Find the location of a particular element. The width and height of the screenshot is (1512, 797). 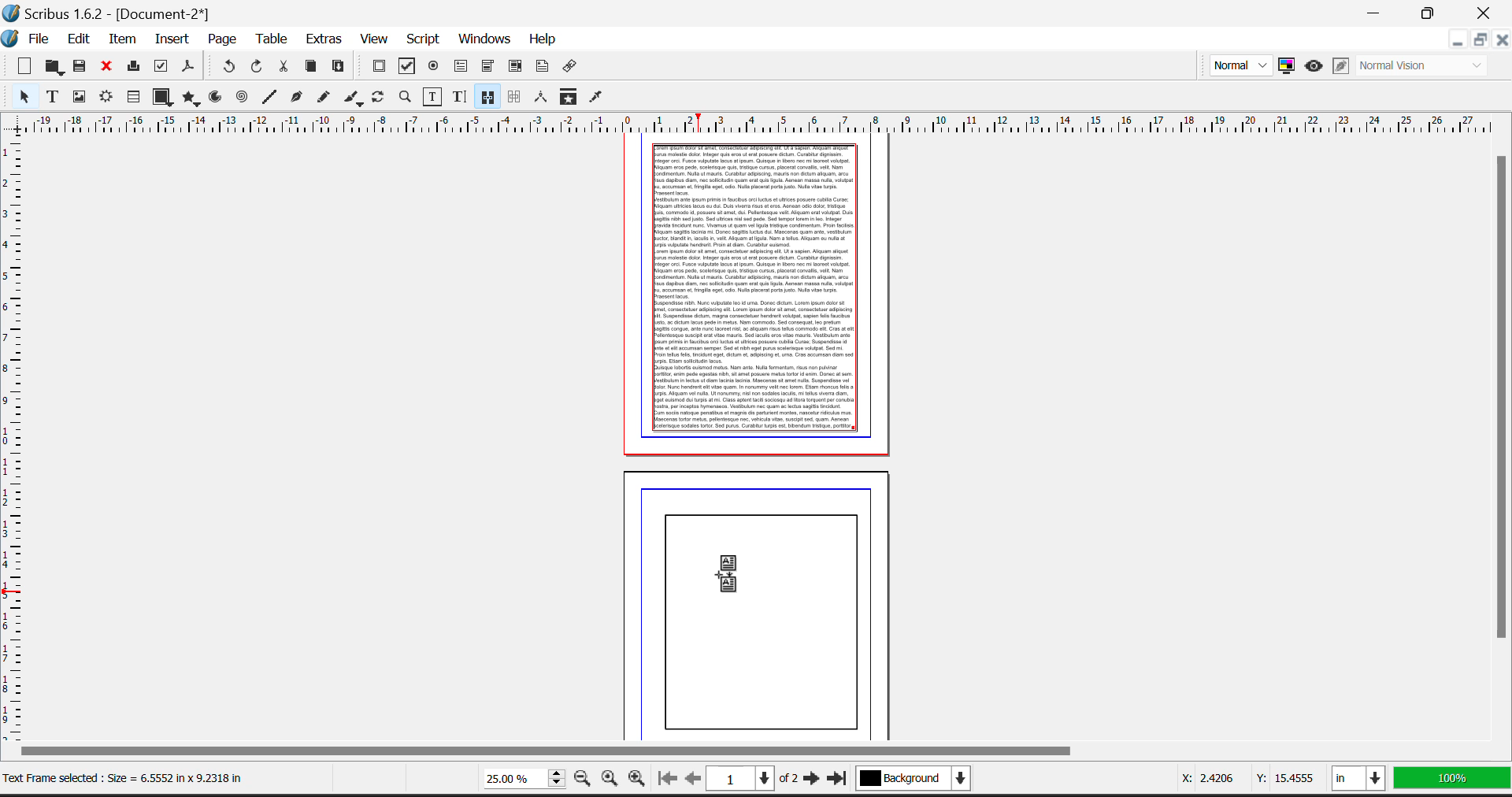

Normal Vision is located at coordinates (1428, 65).